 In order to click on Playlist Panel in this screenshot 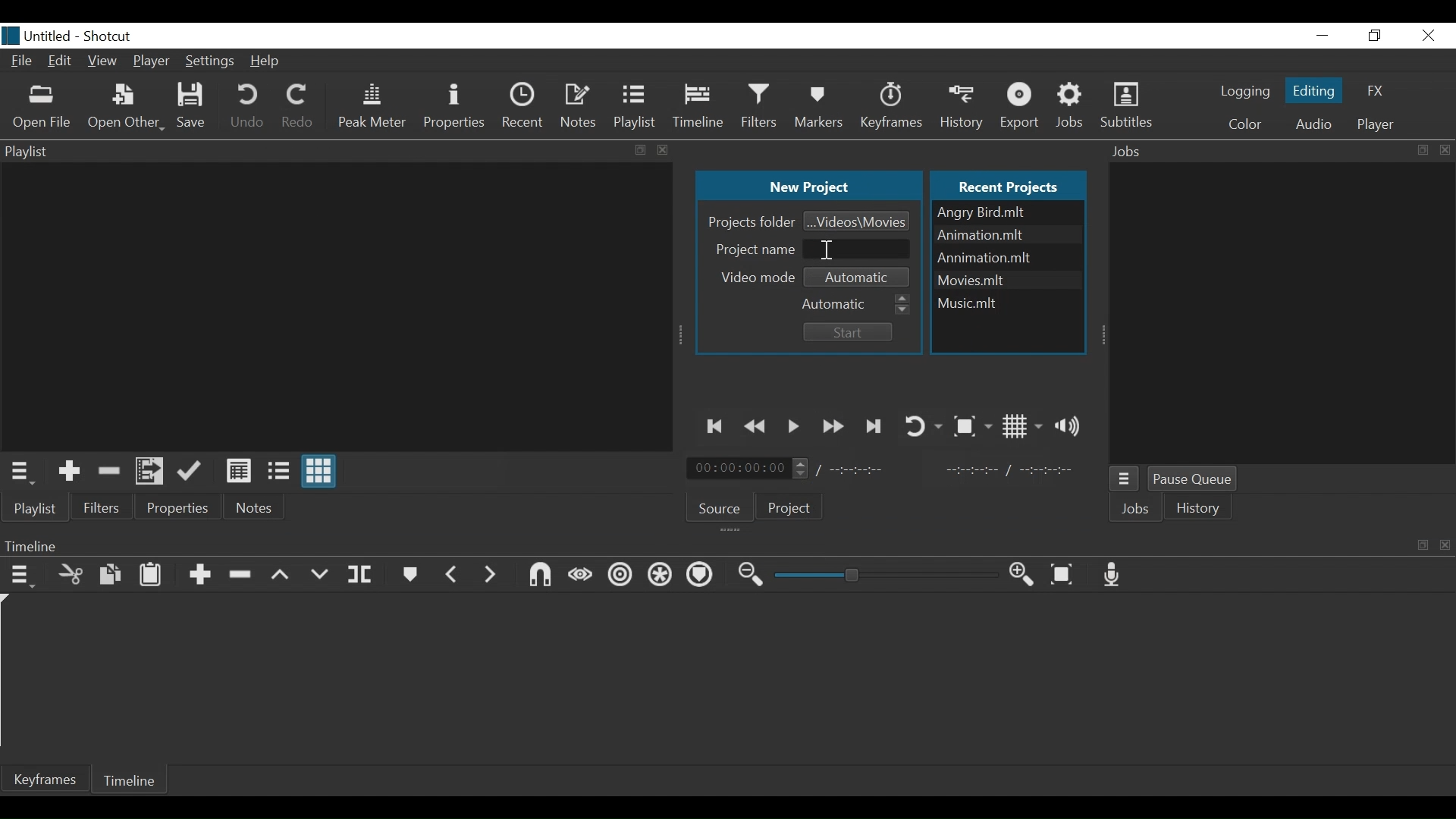, I will do `click(337, 150)`.